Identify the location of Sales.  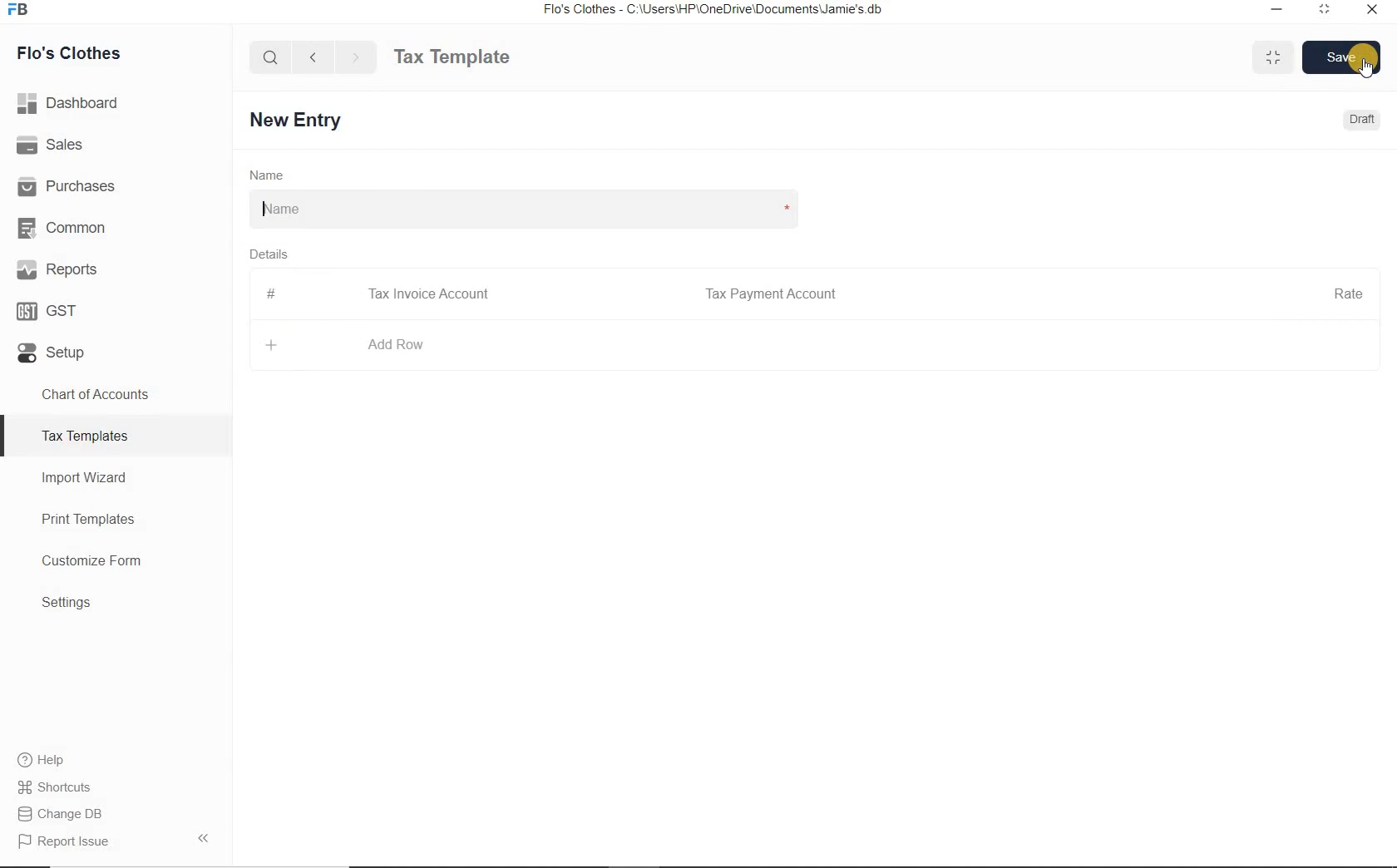
(116, 144).